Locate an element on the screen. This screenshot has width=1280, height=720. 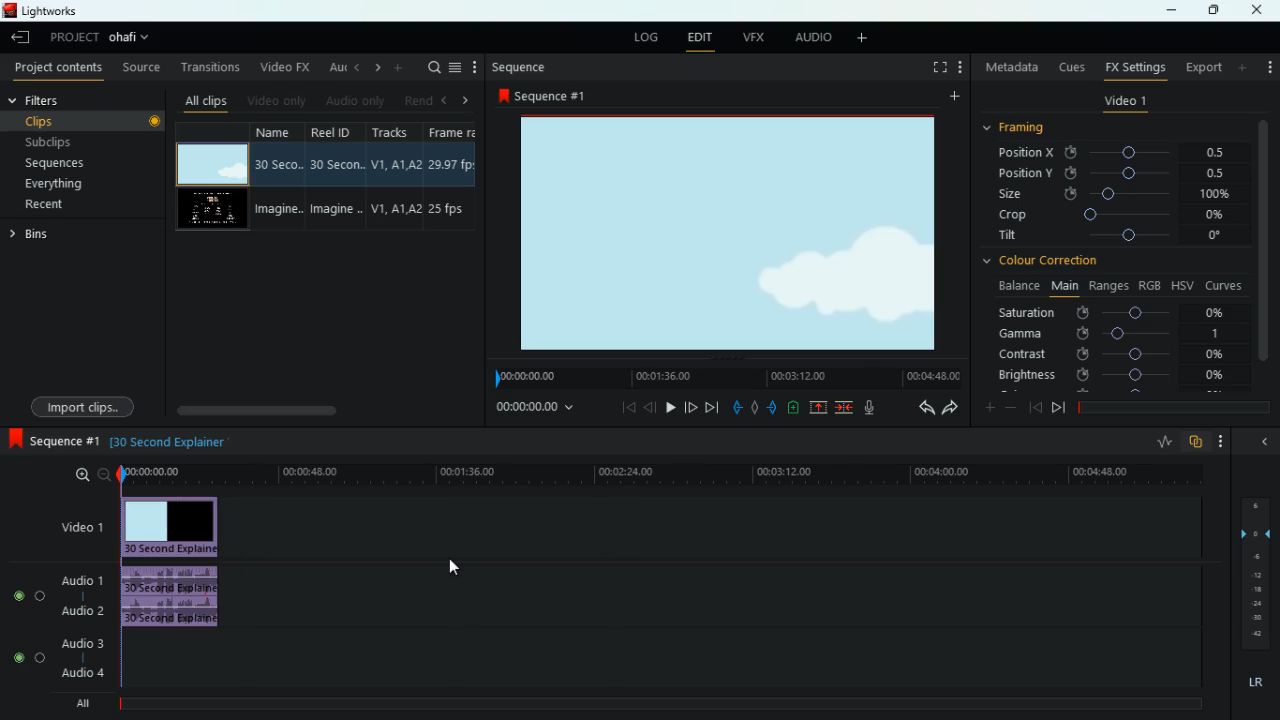
rend is located at coordinates (414, 100).